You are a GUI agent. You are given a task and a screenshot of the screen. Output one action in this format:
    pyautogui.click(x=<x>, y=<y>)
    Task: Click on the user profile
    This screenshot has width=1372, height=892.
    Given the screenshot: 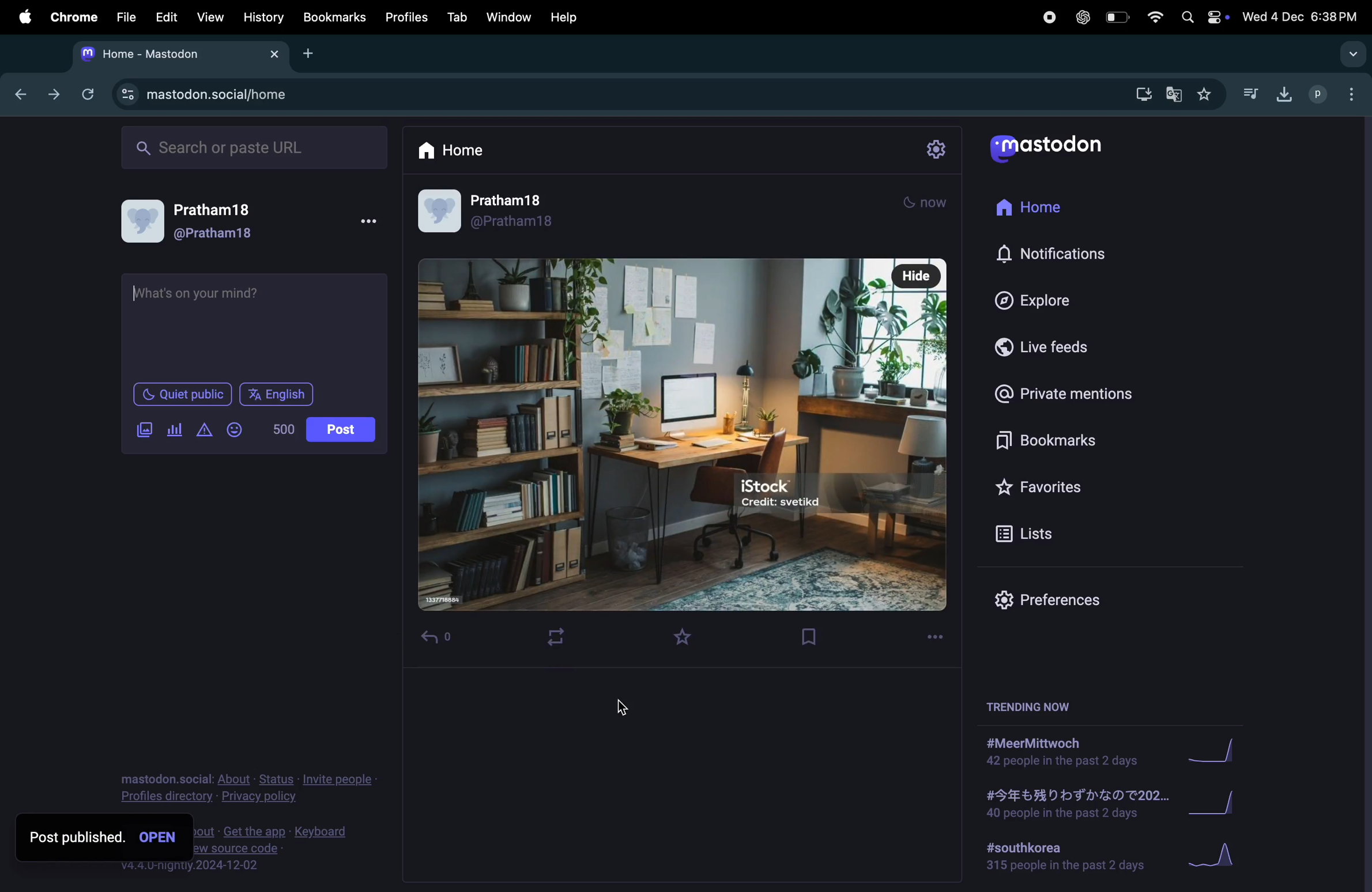 What is the action you would take?
    pyautogui.click(x=491, y=215)
    